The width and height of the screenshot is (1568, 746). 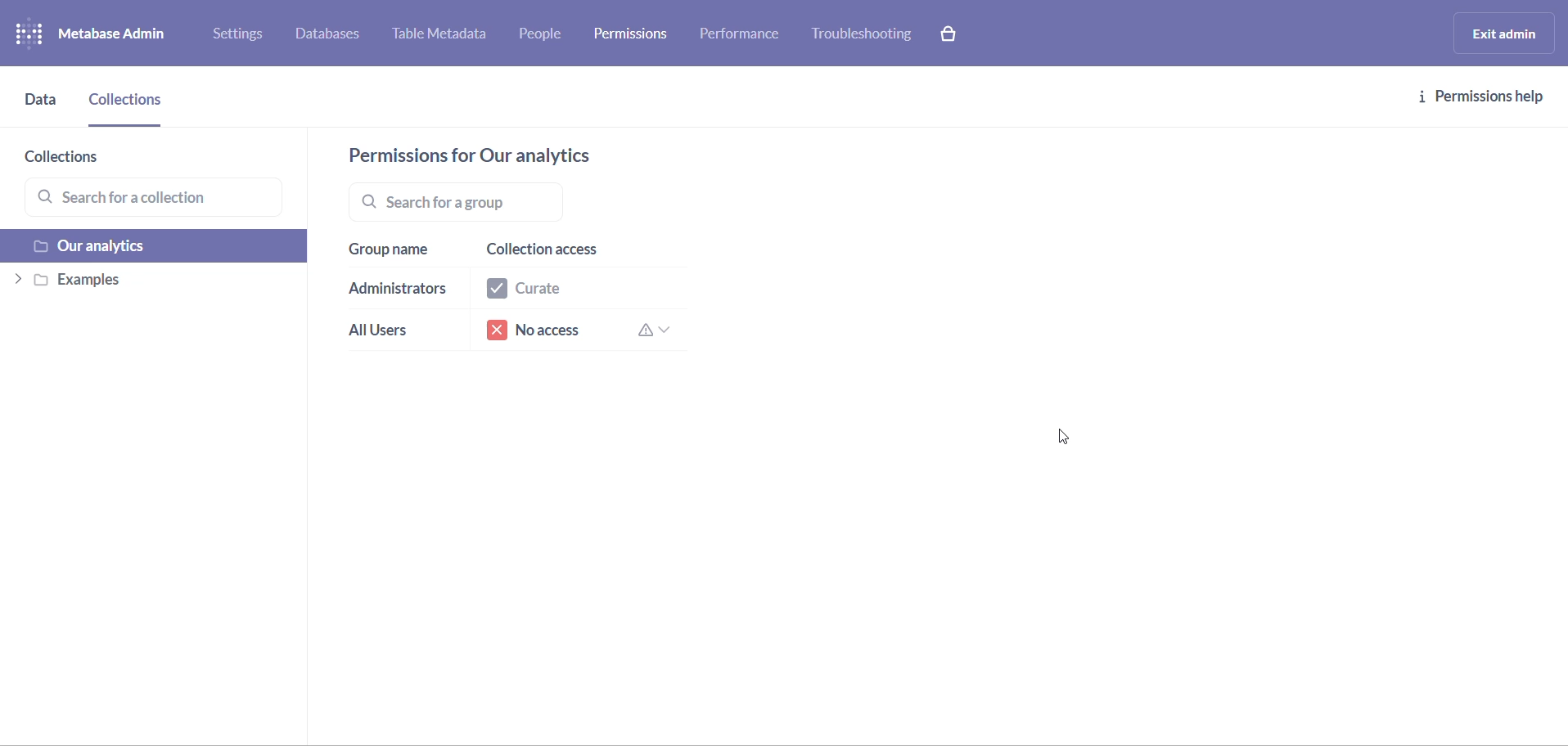 What do you see at coordinates (399, 291) in the screenshot?
I see `administrators group` at bounding box center [399, 291].